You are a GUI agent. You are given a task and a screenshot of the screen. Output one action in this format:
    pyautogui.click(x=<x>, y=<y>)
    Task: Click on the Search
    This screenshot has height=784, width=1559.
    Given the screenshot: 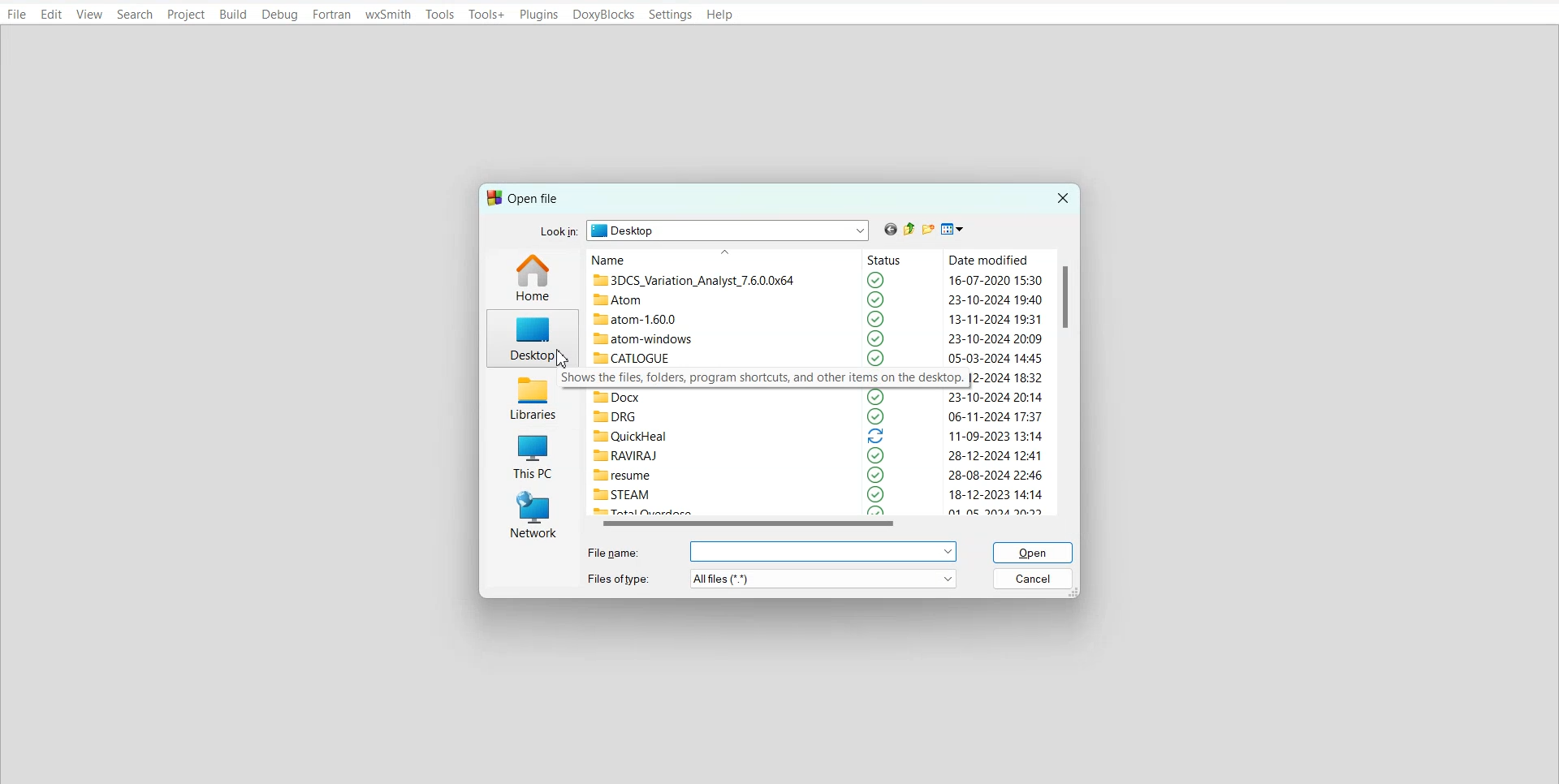 What is the action you would take?
    pyautogui.click(x=136, y=14)
    